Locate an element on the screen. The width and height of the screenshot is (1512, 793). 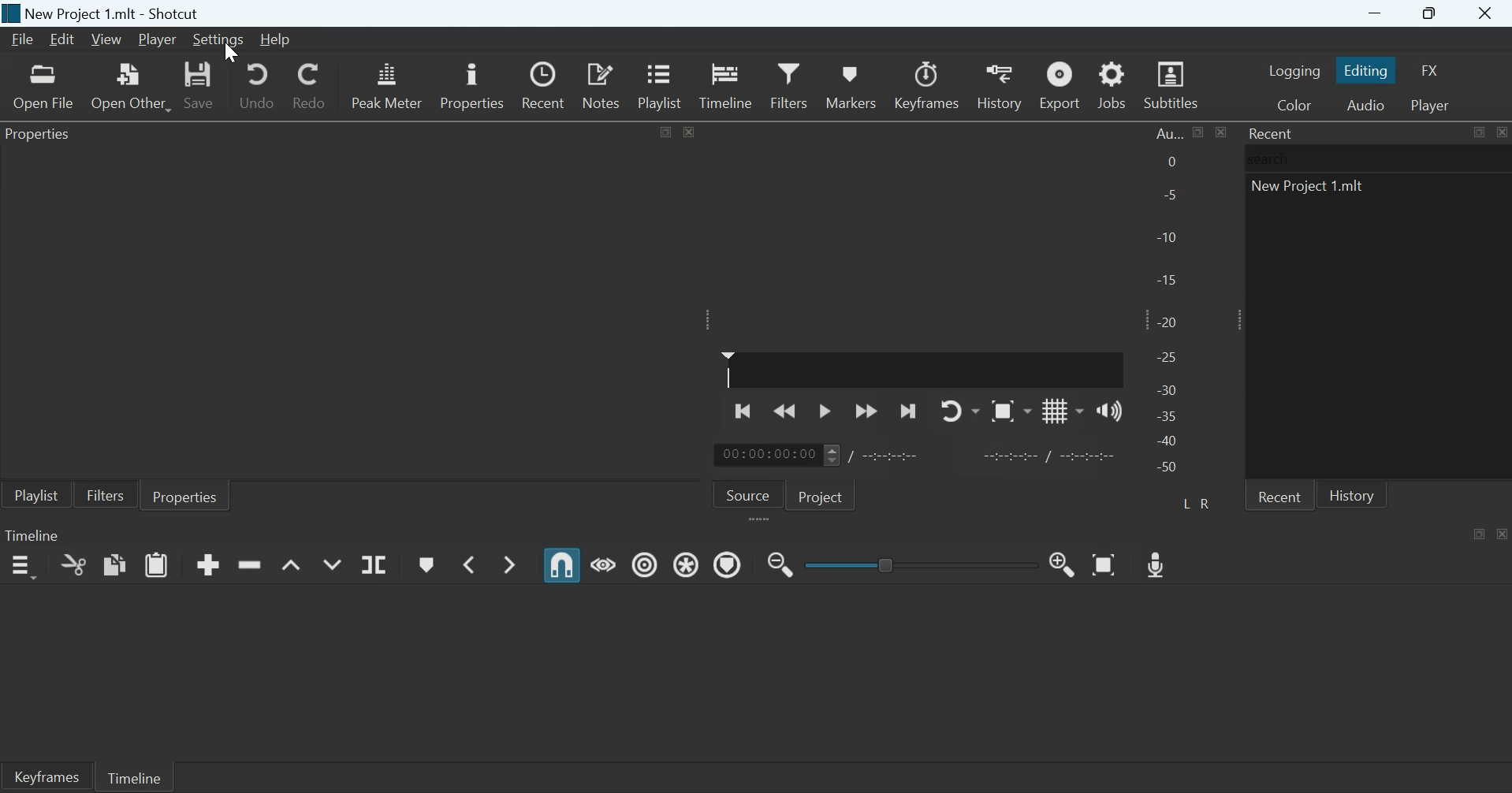
Timeline menu is located at coordinates (22, 567).